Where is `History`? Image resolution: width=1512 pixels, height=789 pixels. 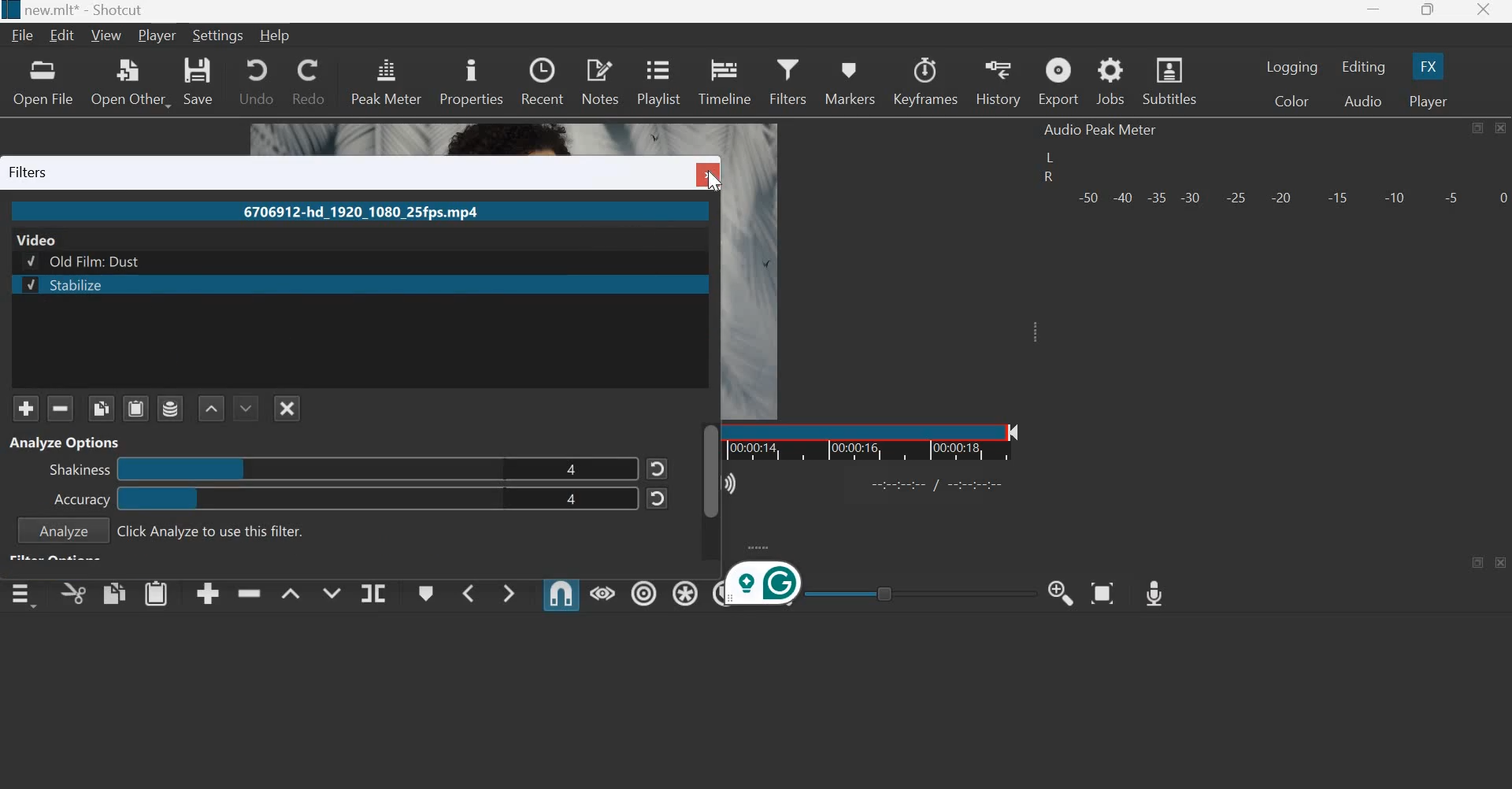
History is located at coordinates (999, 82).